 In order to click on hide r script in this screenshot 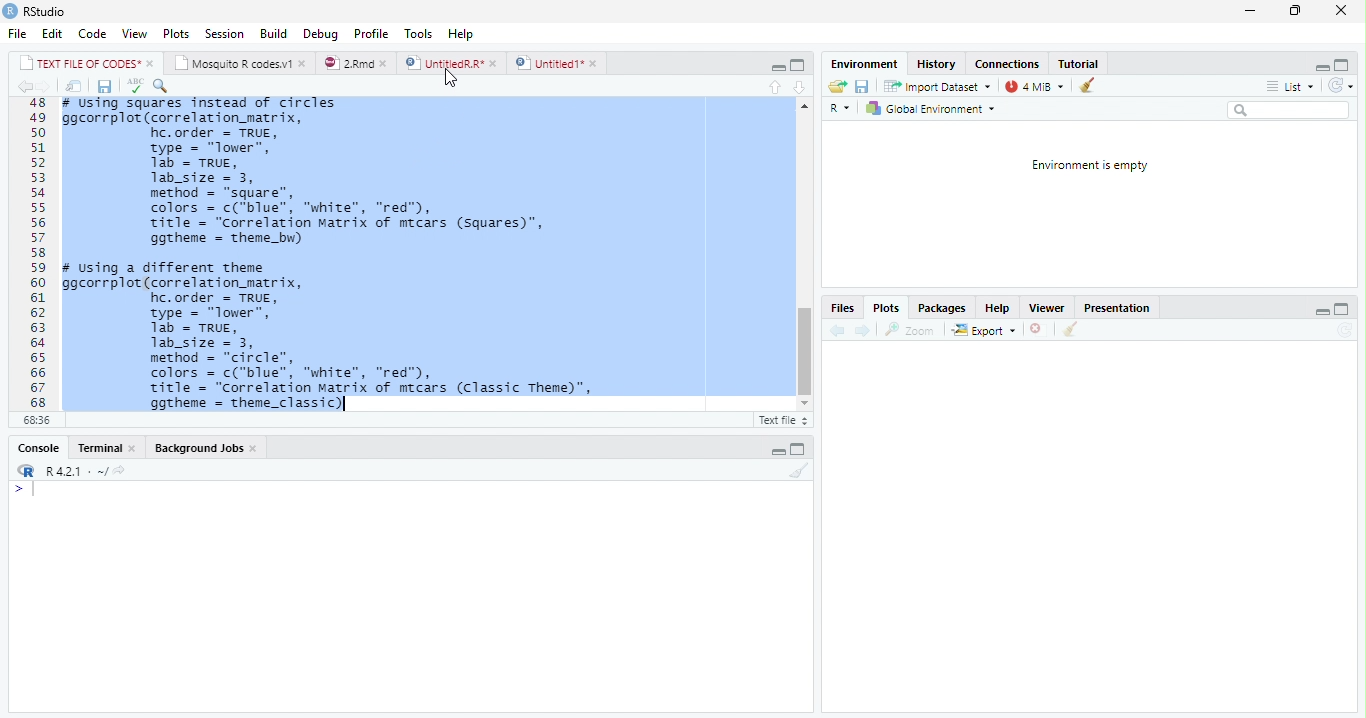, I will do `click(1321, 66)`.